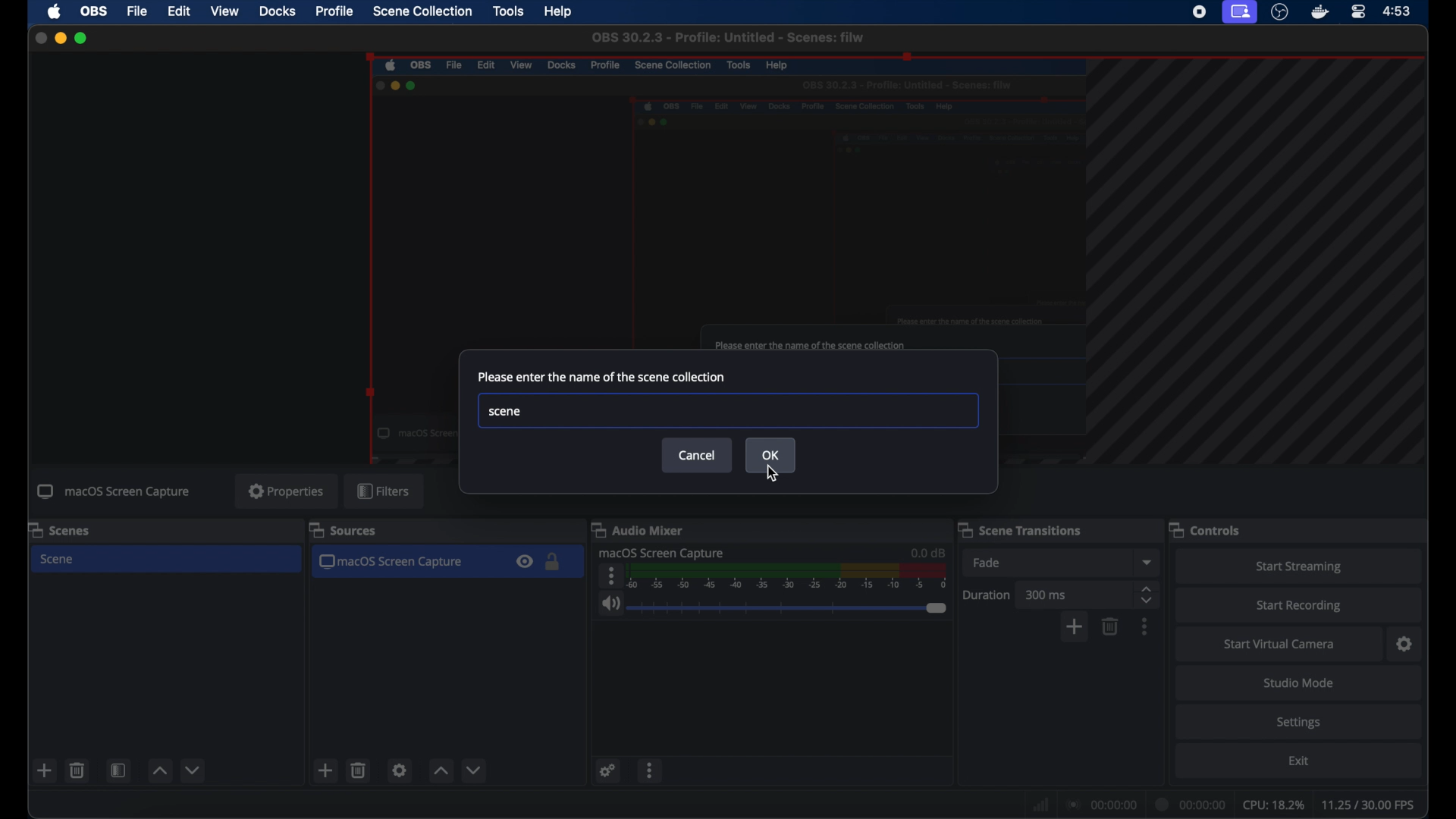 The width and height of the screenshot is (1456, 819). I want to click on increment, so click(159, 770).